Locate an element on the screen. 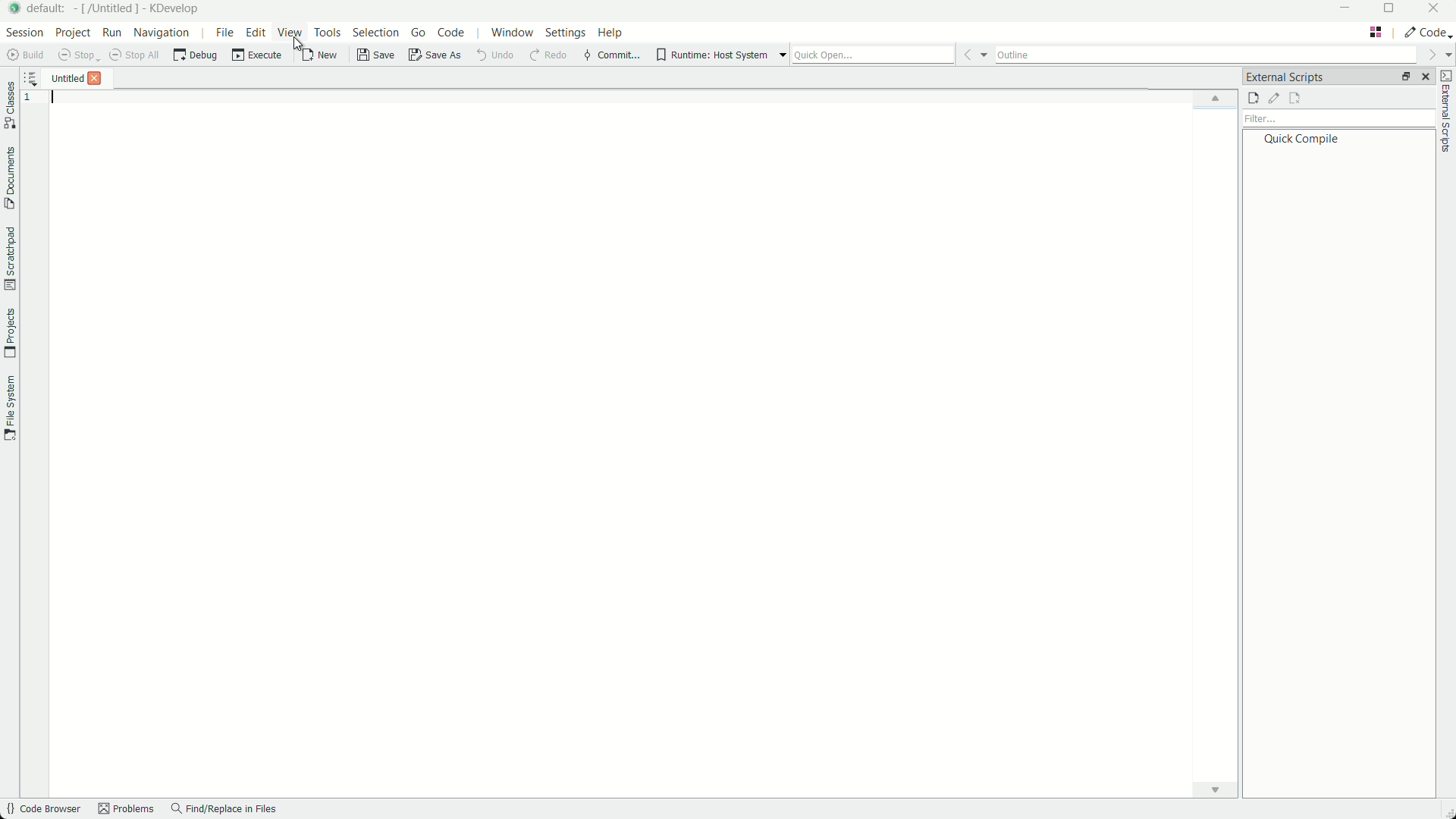 This screenshot has width=1456, height=819. undo is located at coordinates (500, 56).